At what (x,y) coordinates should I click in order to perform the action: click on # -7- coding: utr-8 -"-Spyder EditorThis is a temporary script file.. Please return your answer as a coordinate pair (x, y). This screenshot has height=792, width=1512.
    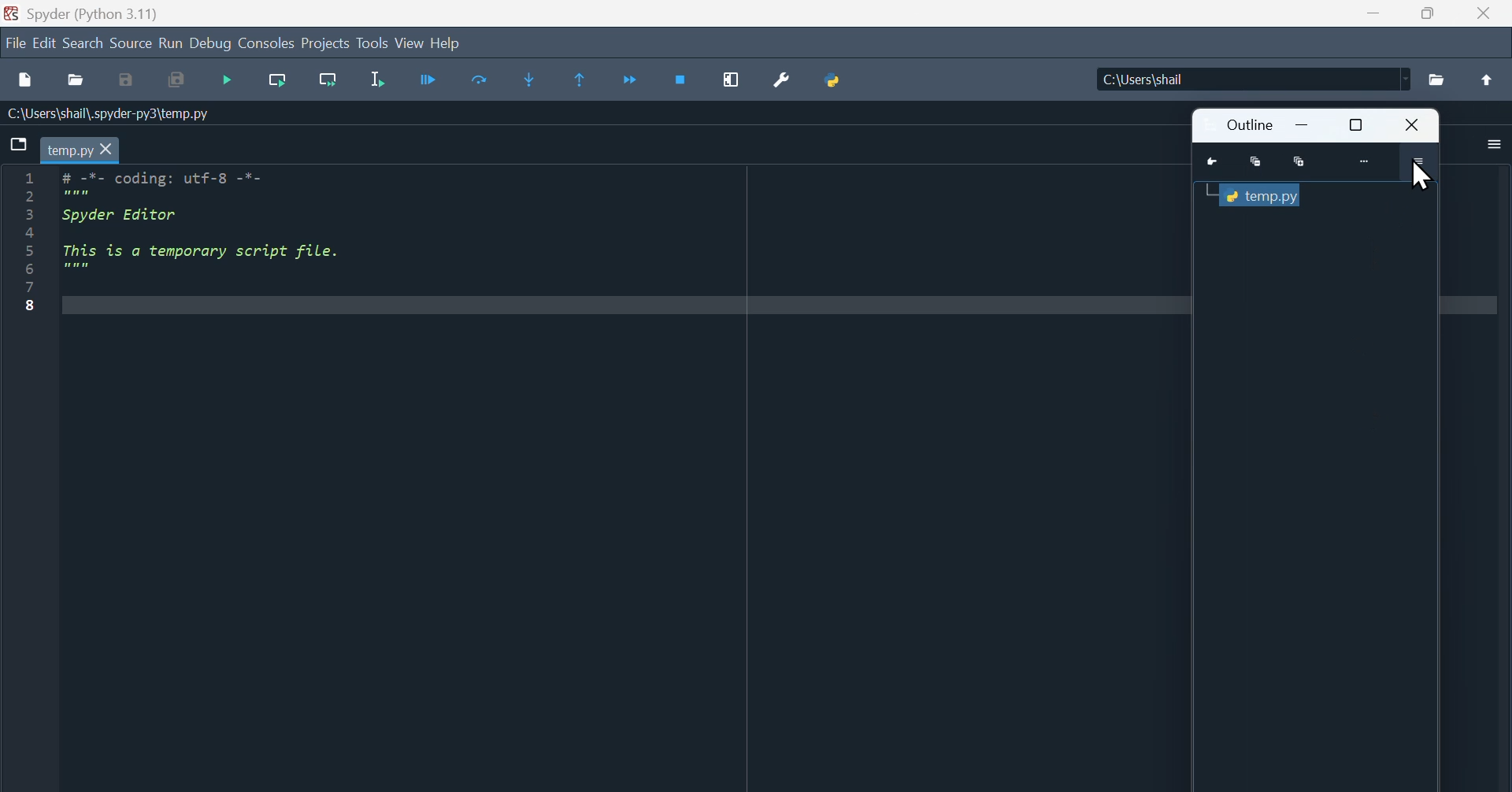
    Looking at the image, I should click on (227, 230).